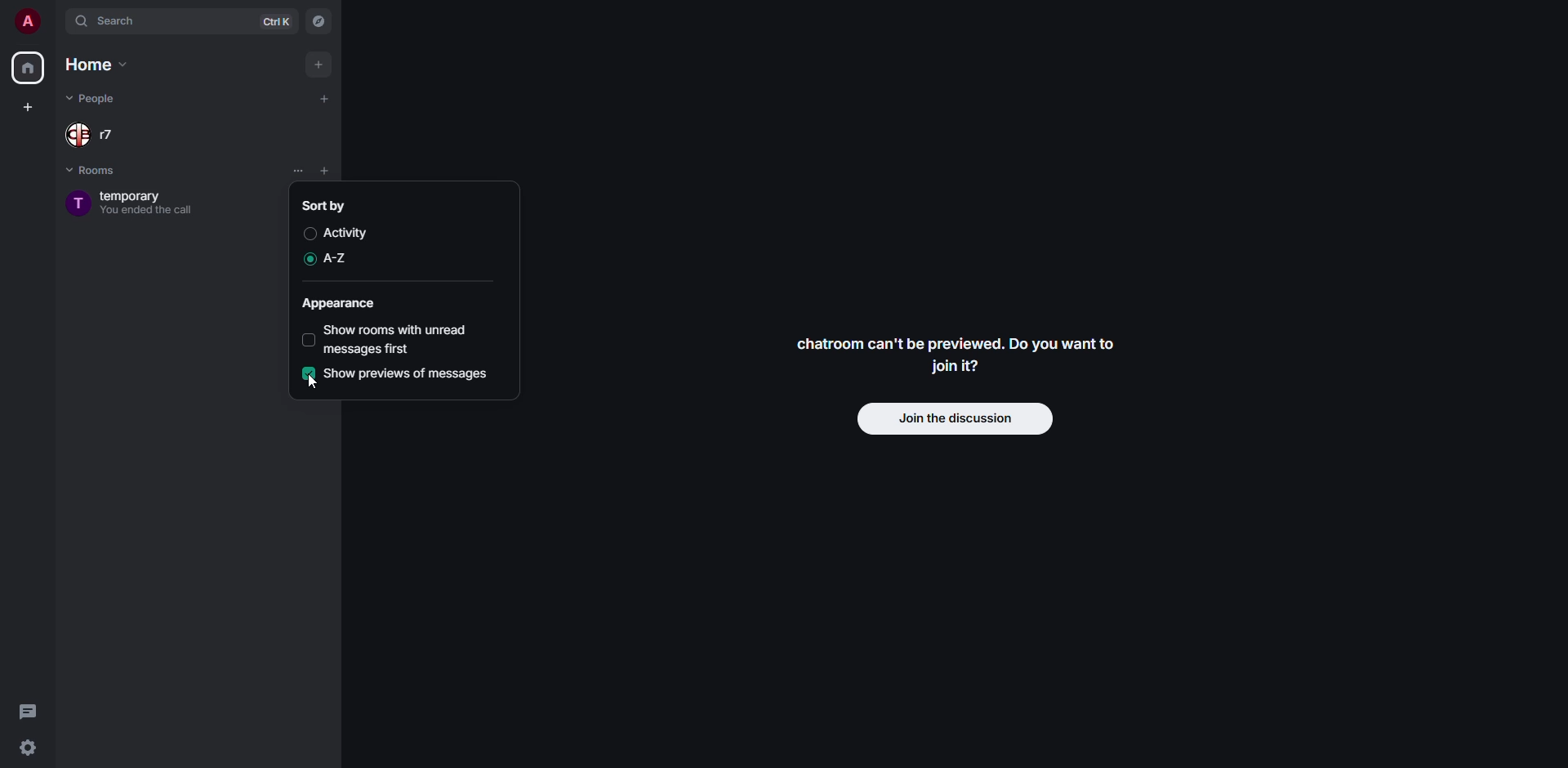  I want to click on ctrl K, so click(279, 23).